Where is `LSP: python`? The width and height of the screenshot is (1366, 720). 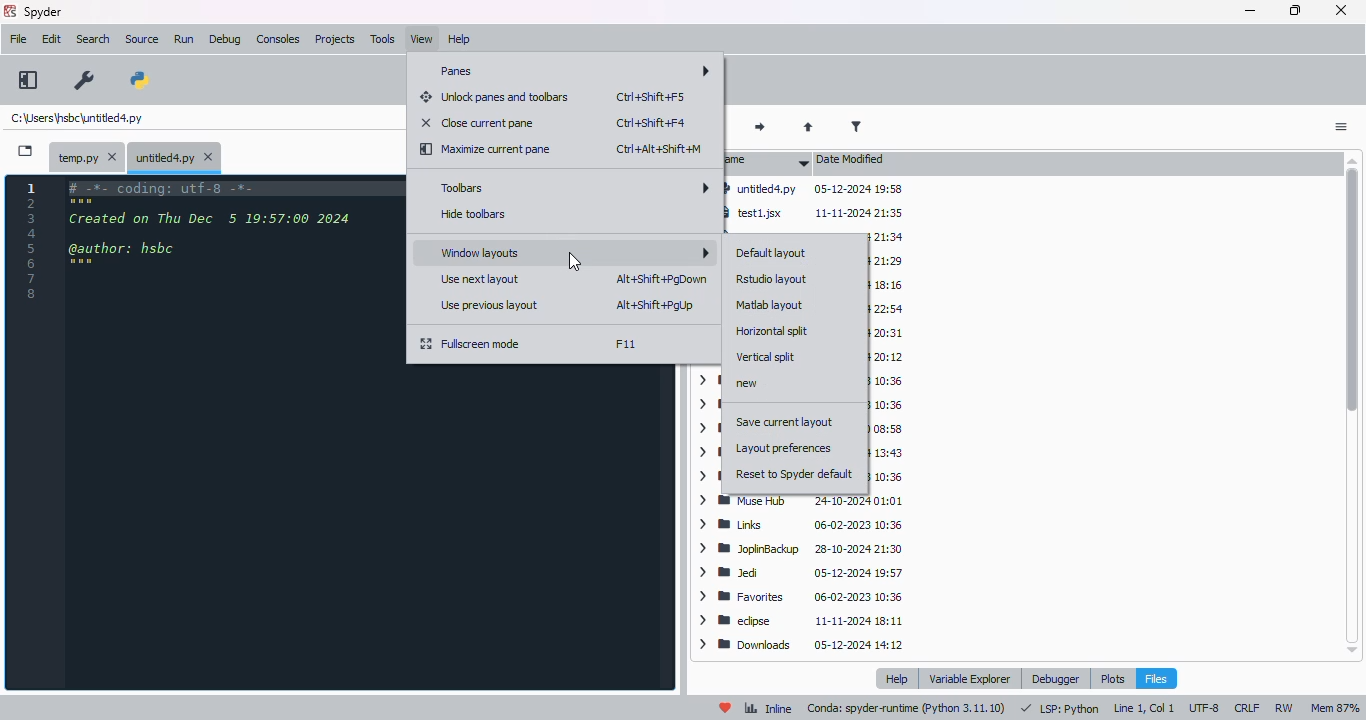 LSP: python is located at coordinates (1060, 709).